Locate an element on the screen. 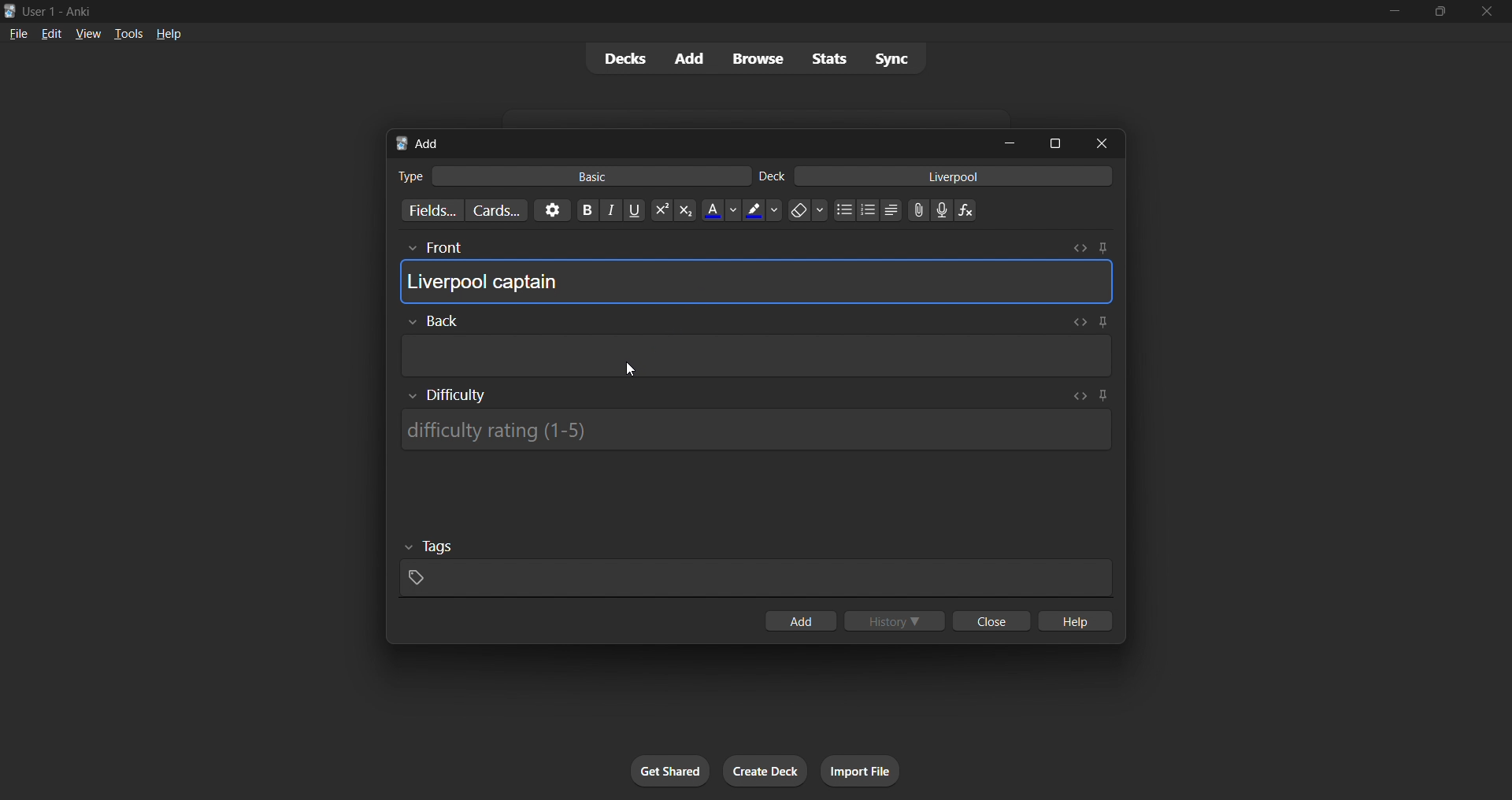  Toggle HTML editor is located at coordinates (1077, 322).